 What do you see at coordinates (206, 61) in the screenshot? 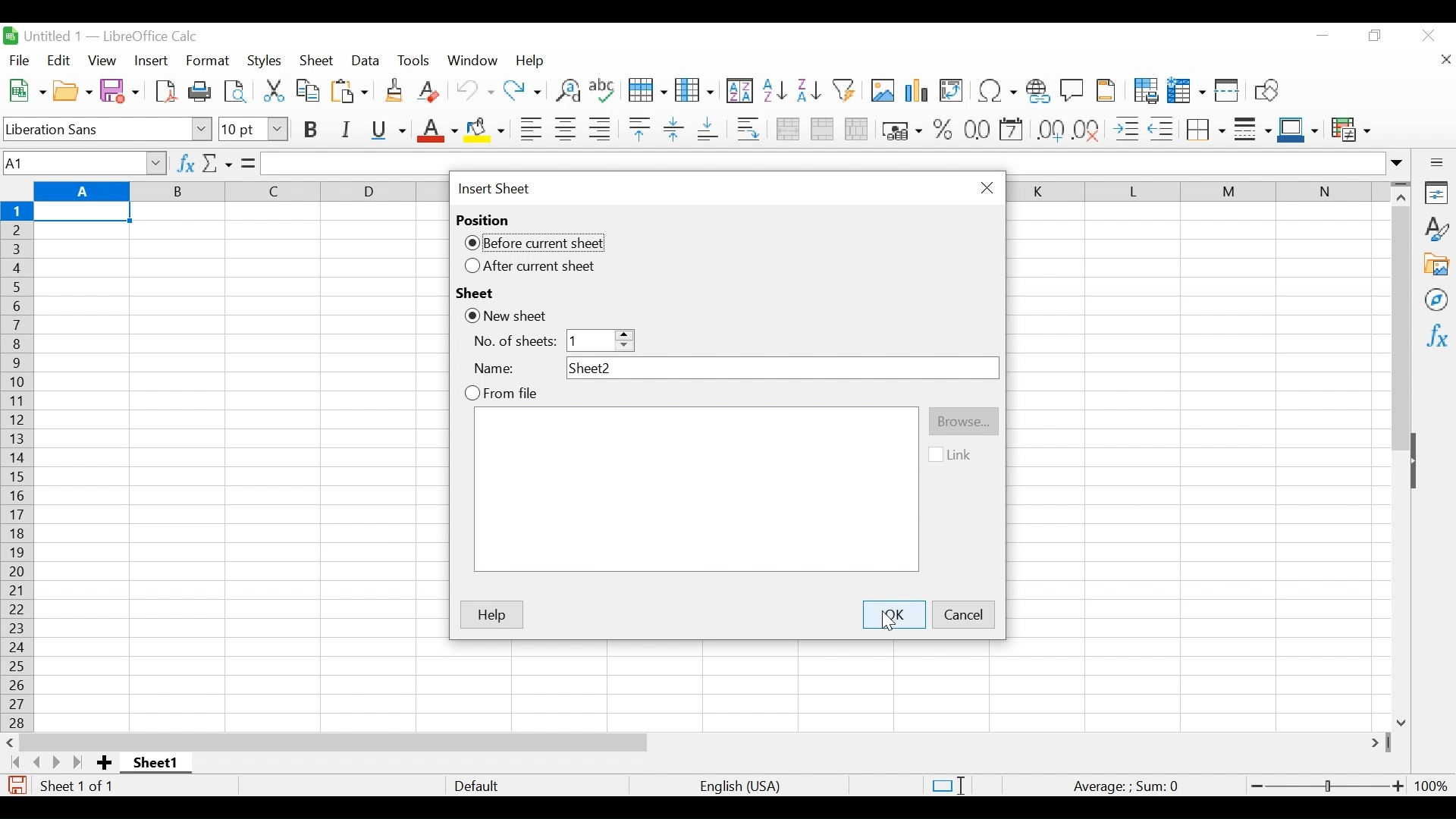
I see `Format` at bounding box center [206, 61].